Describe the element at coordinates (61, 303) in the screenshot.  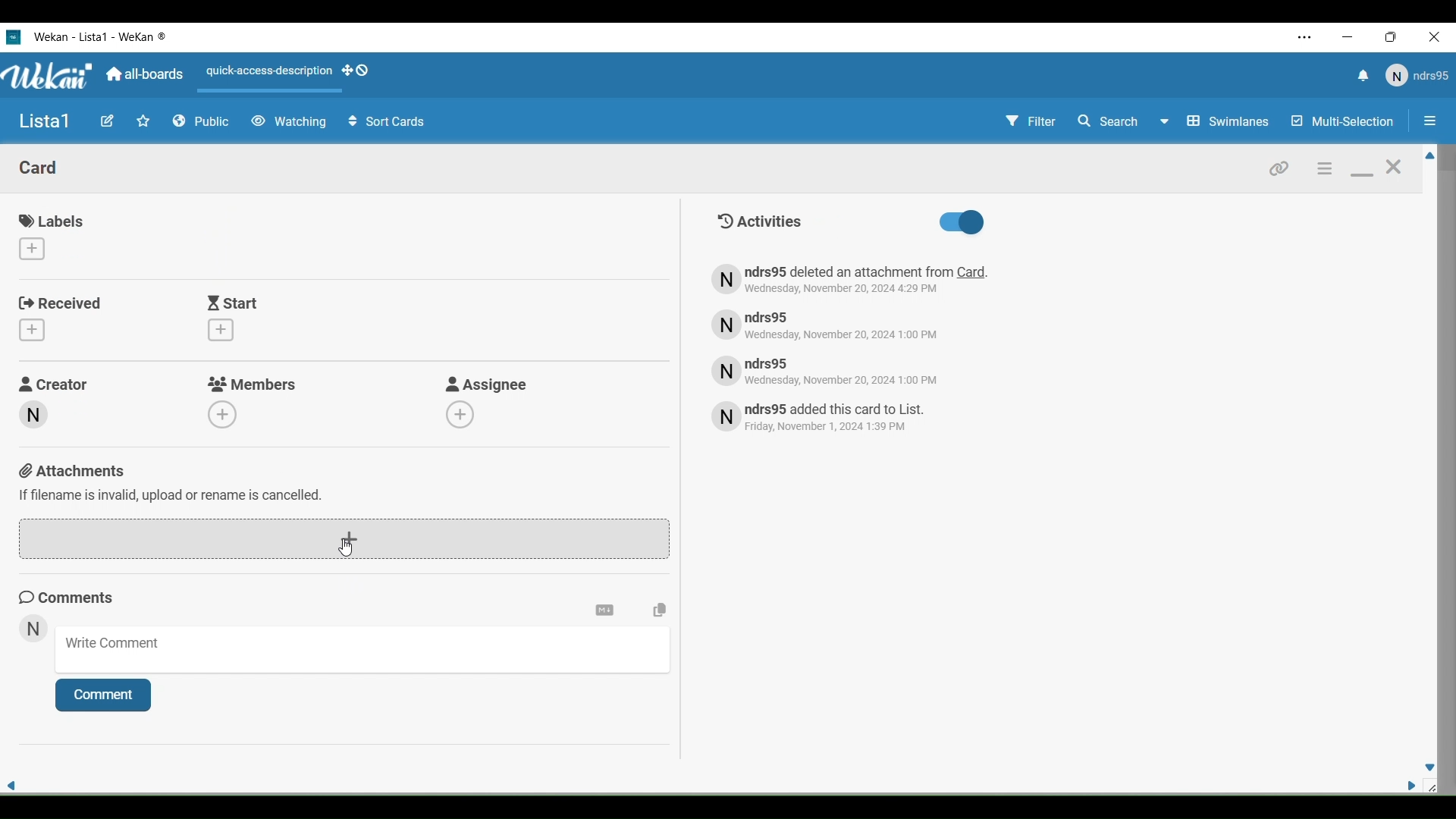
I see `Received` at that location.